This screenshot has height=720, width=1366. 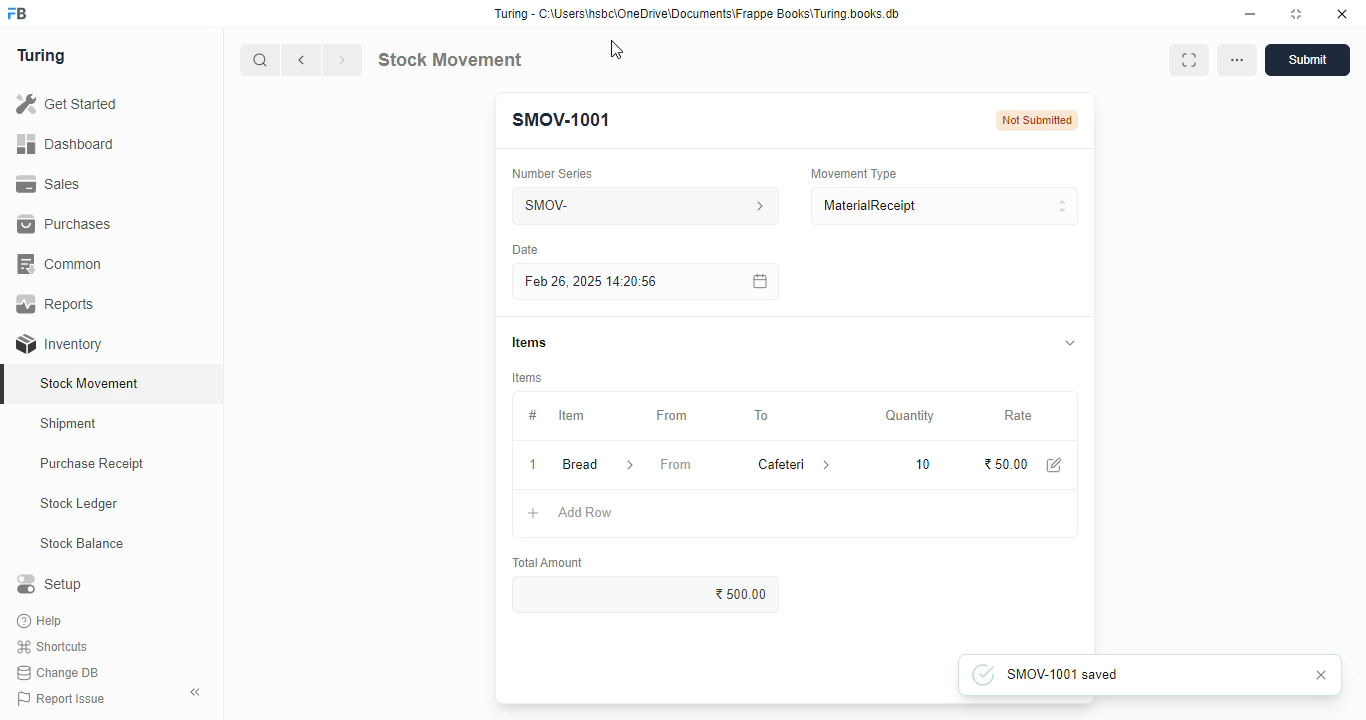 I want to click on Turing - C:\Users\nsbc\OneDrive\Documents\Frappe Books\Turing books.db, so click(x=698, y=14).